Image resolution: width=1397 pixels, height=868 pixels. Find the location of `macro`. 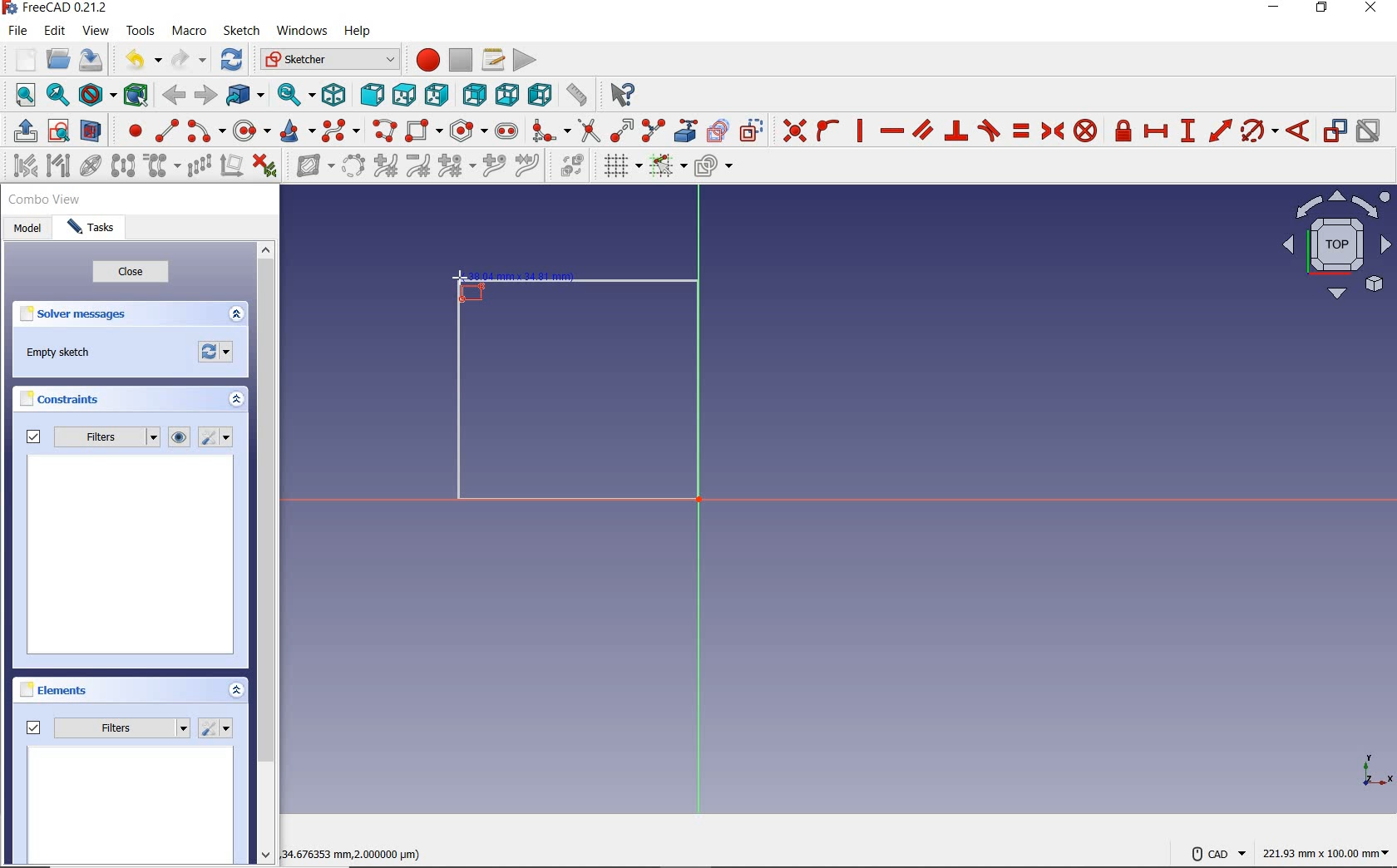

macro is located at coordinates (189, 32).